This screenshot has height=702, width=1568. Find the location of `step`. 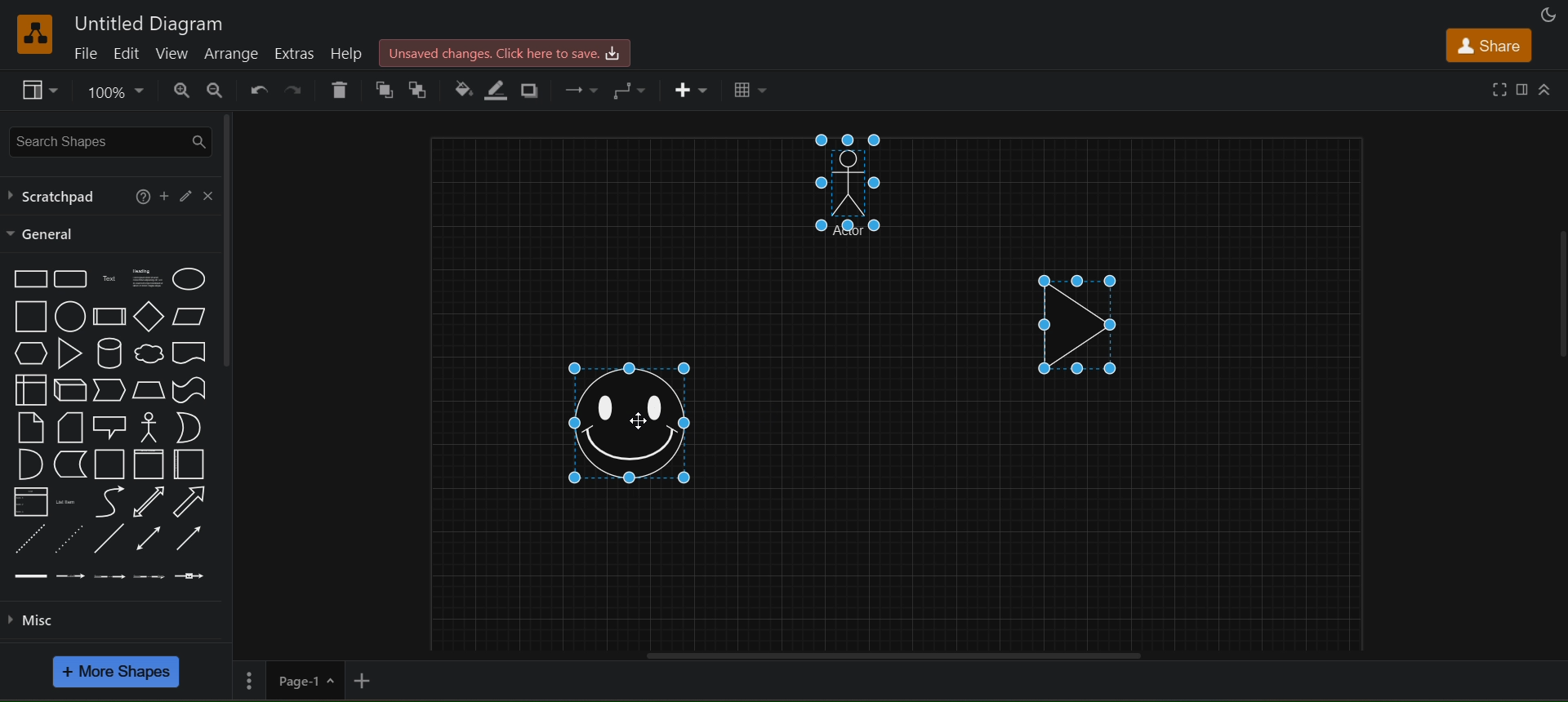

step is located at coordinates (110, 390).